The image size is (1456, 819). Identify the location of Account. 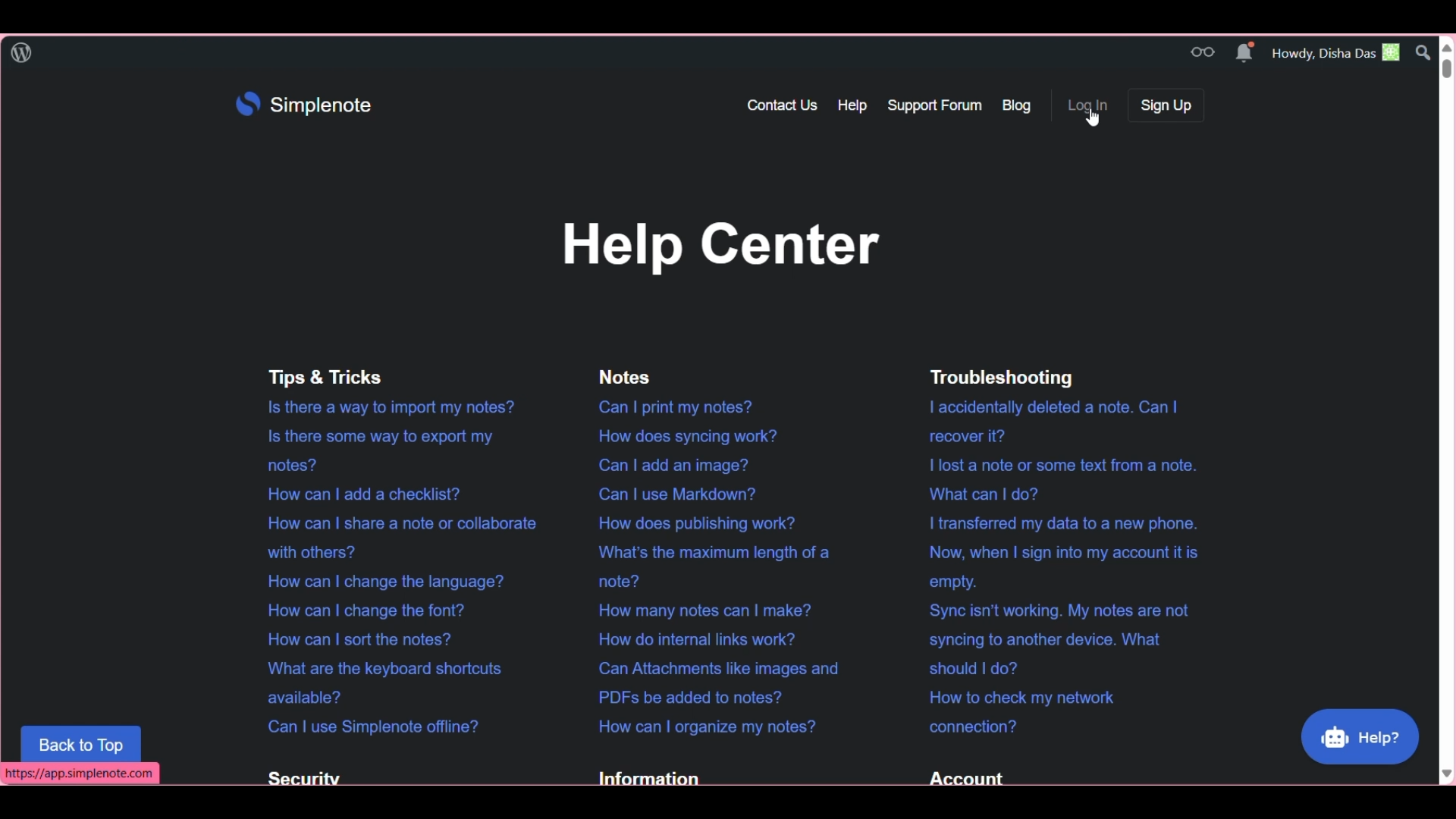
(962, 779).